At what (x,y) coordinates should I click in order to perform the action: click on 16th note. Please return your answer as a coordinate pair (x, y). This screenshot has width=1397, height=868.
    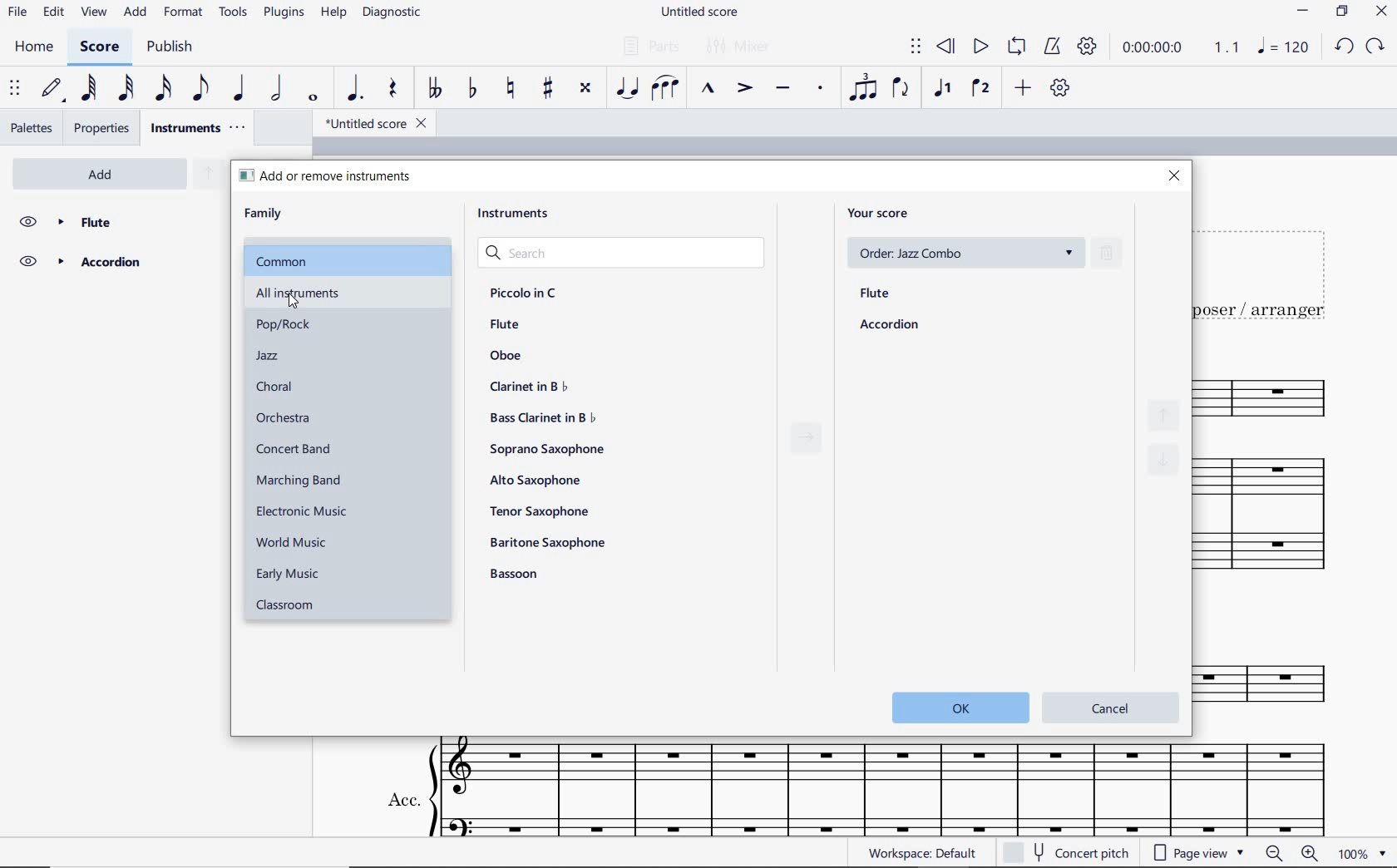
    Looking at the image, I should click on (164, 88).